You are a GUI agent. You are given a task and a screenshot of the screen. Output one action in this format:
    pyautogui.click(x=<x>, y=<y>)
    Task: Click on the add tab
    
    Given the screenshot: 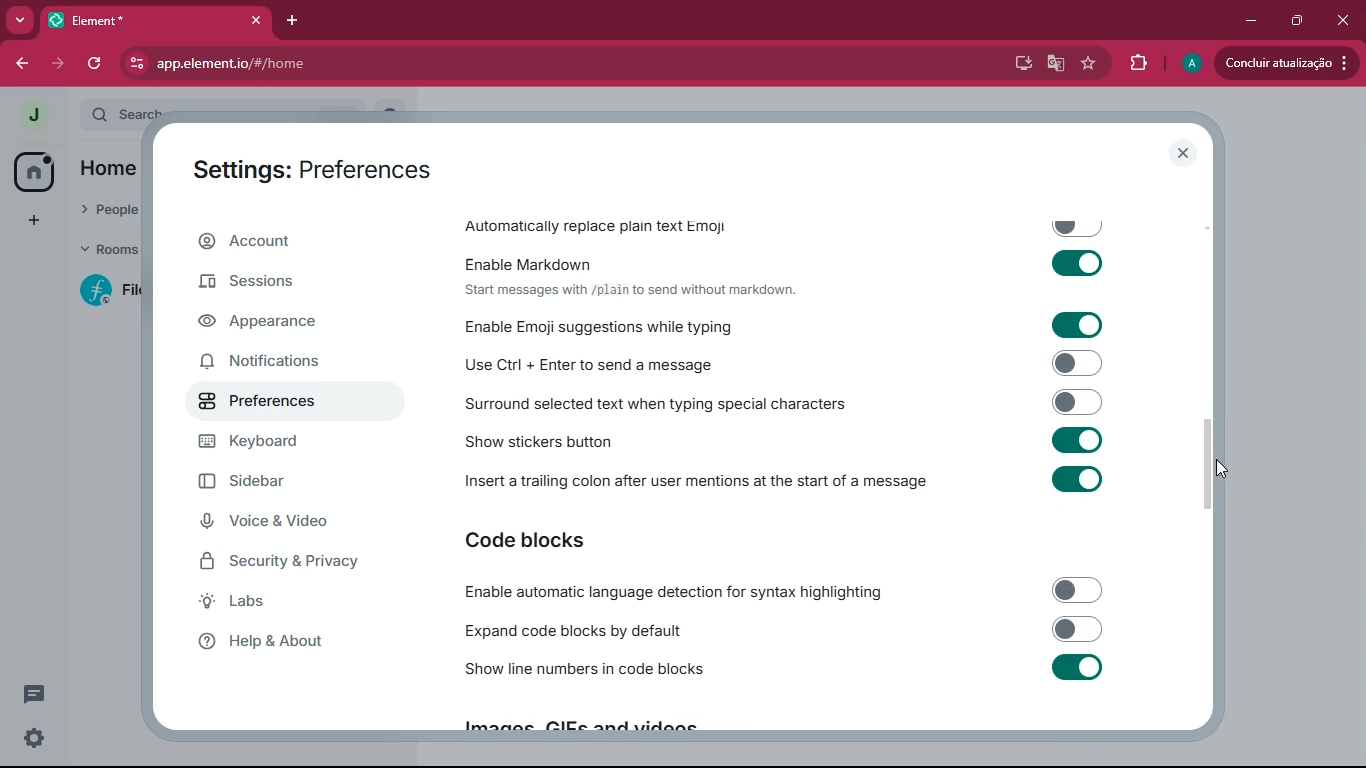 What is the action you would take?
    pyautogui.click(x=288, y=24)
    